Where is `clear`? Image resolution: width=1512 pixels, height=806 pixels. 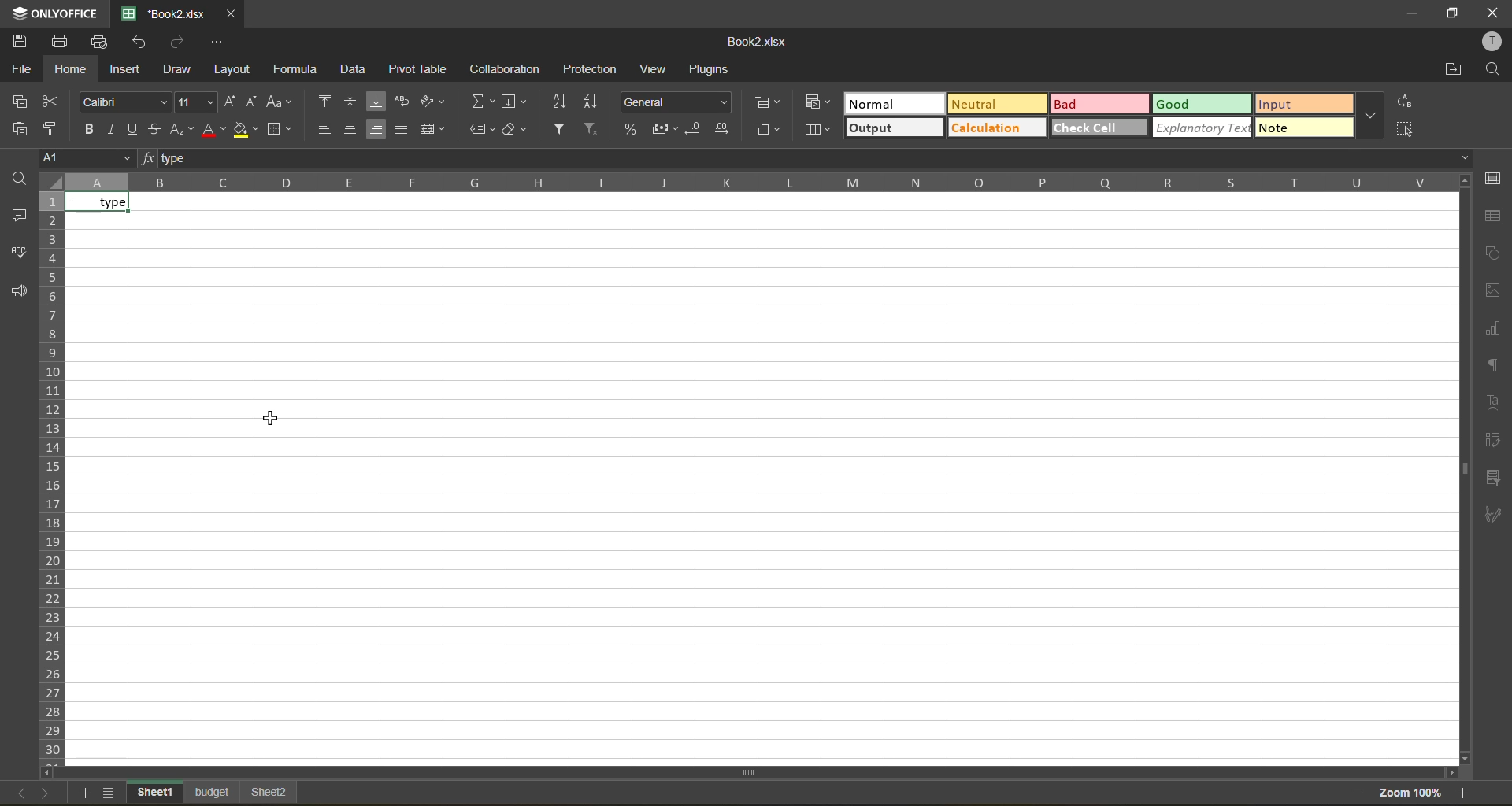
clear is located at coordinates (513, 131).